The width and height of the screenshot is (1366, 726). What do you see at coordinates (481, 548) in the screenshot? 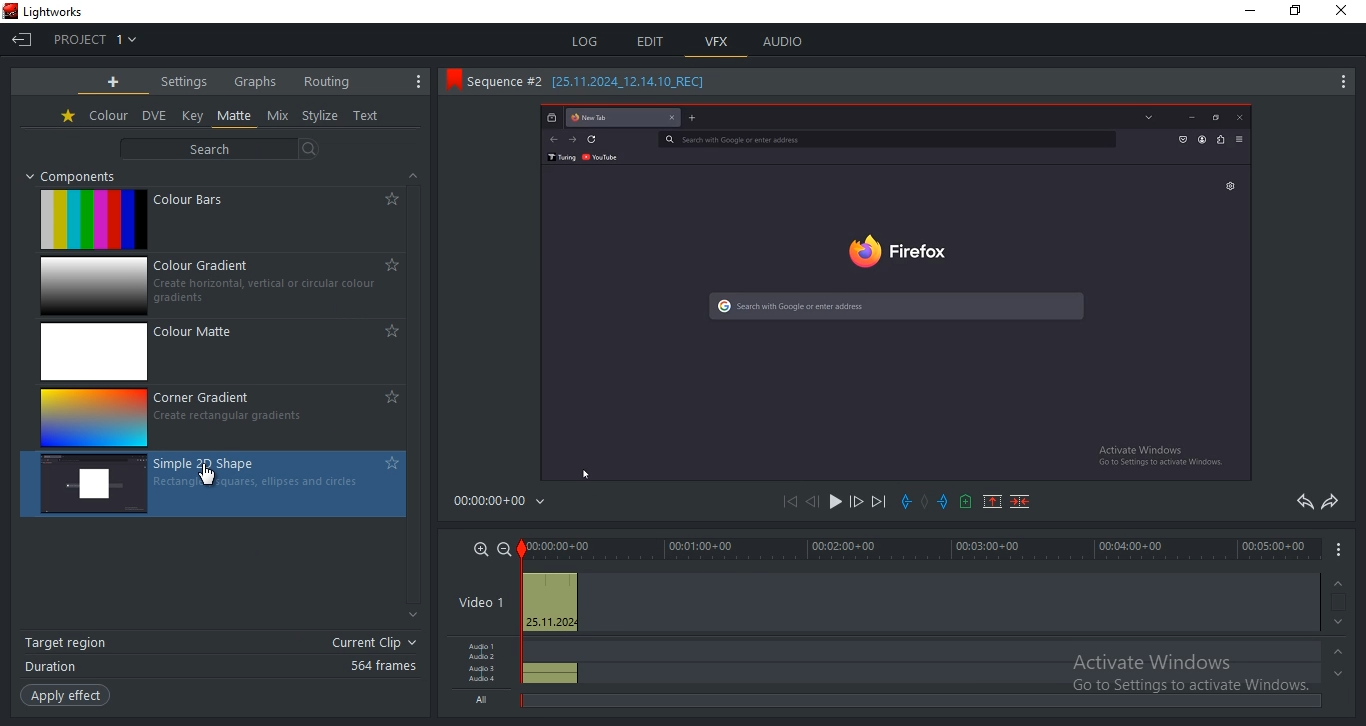
I see `zoom in` at bounding box center [481, 548].